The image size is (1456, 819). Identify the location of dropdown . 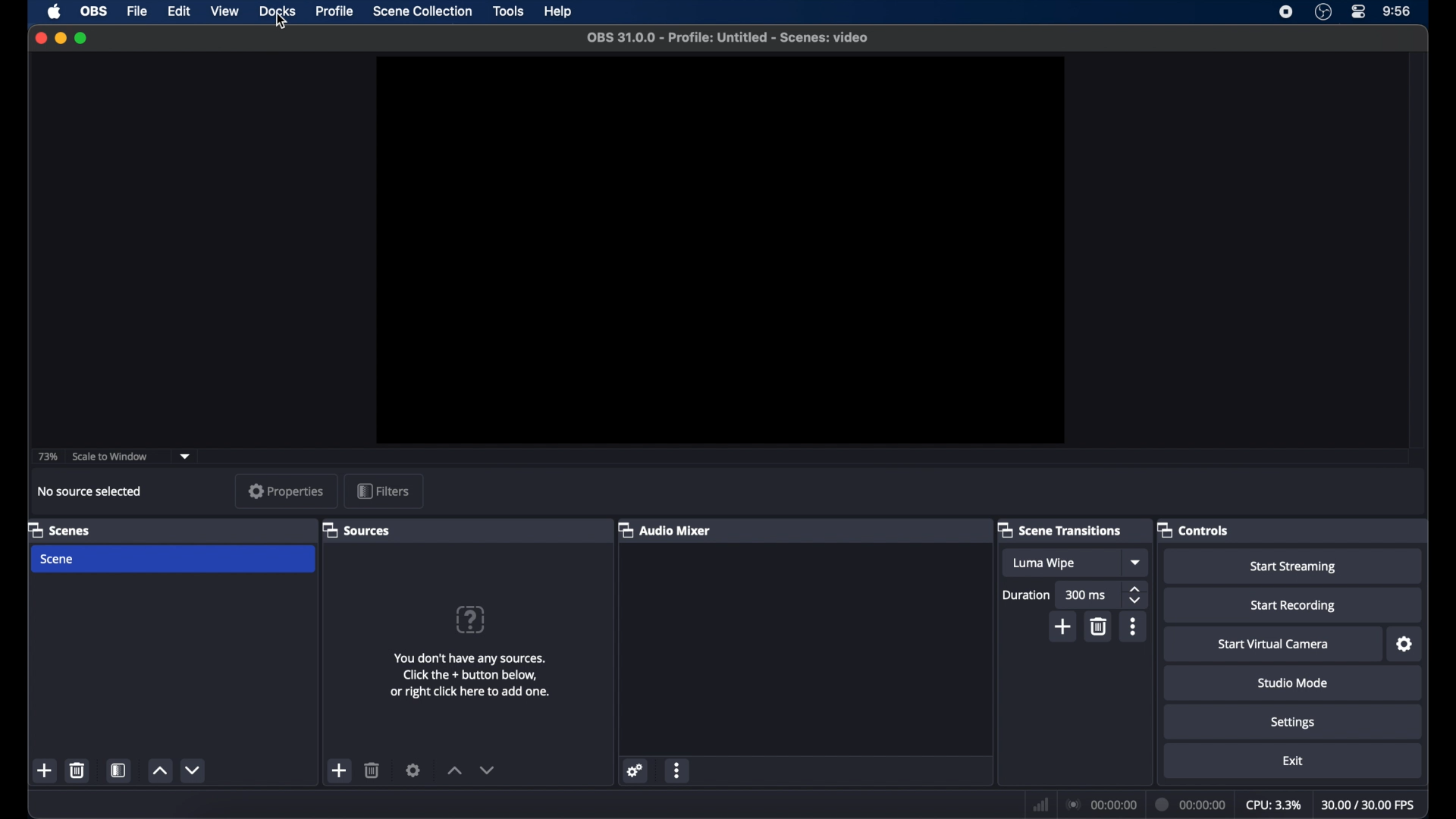
(185, 456).